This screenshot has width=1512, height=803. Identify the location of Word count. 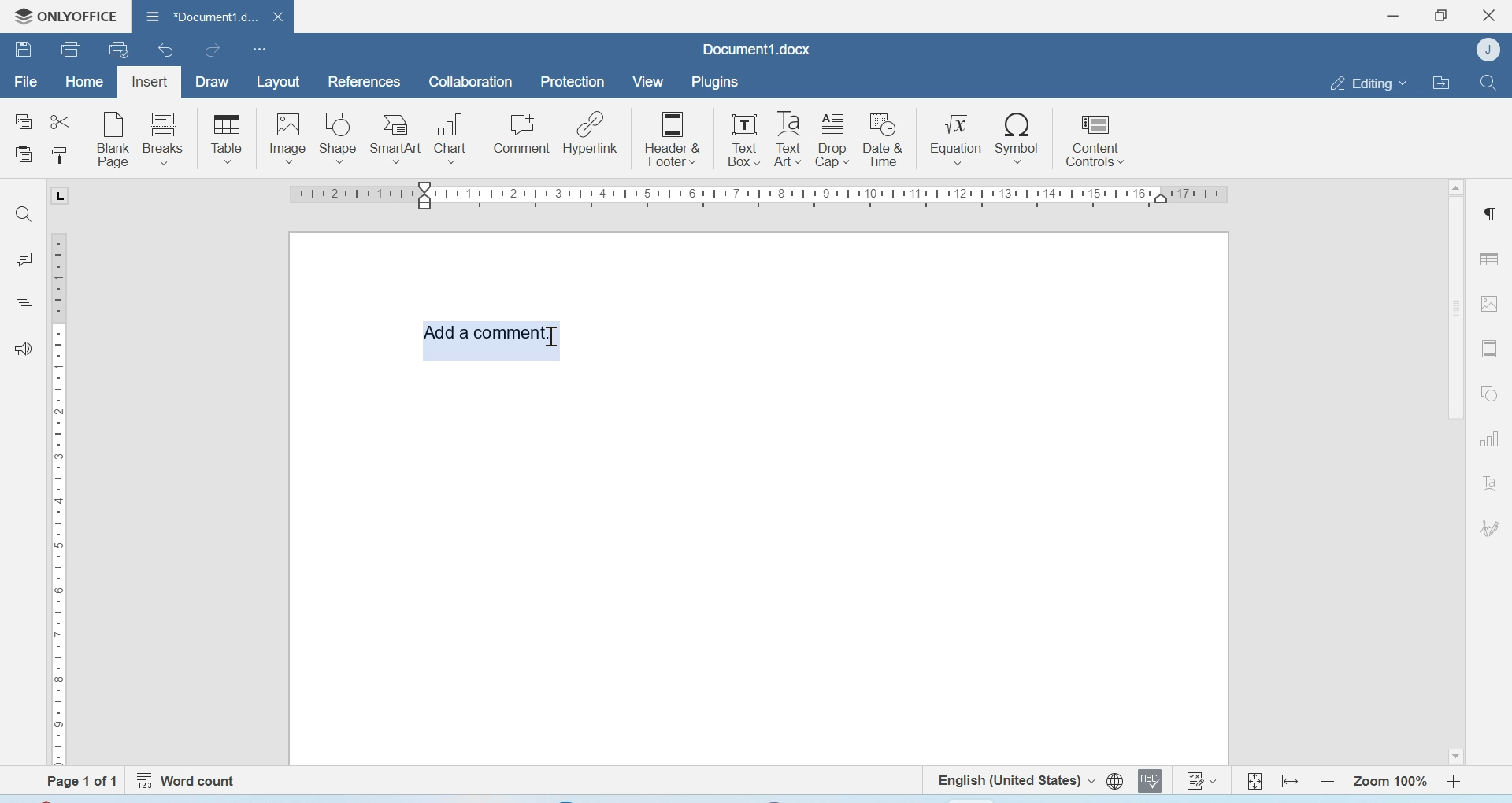
(189, 781).